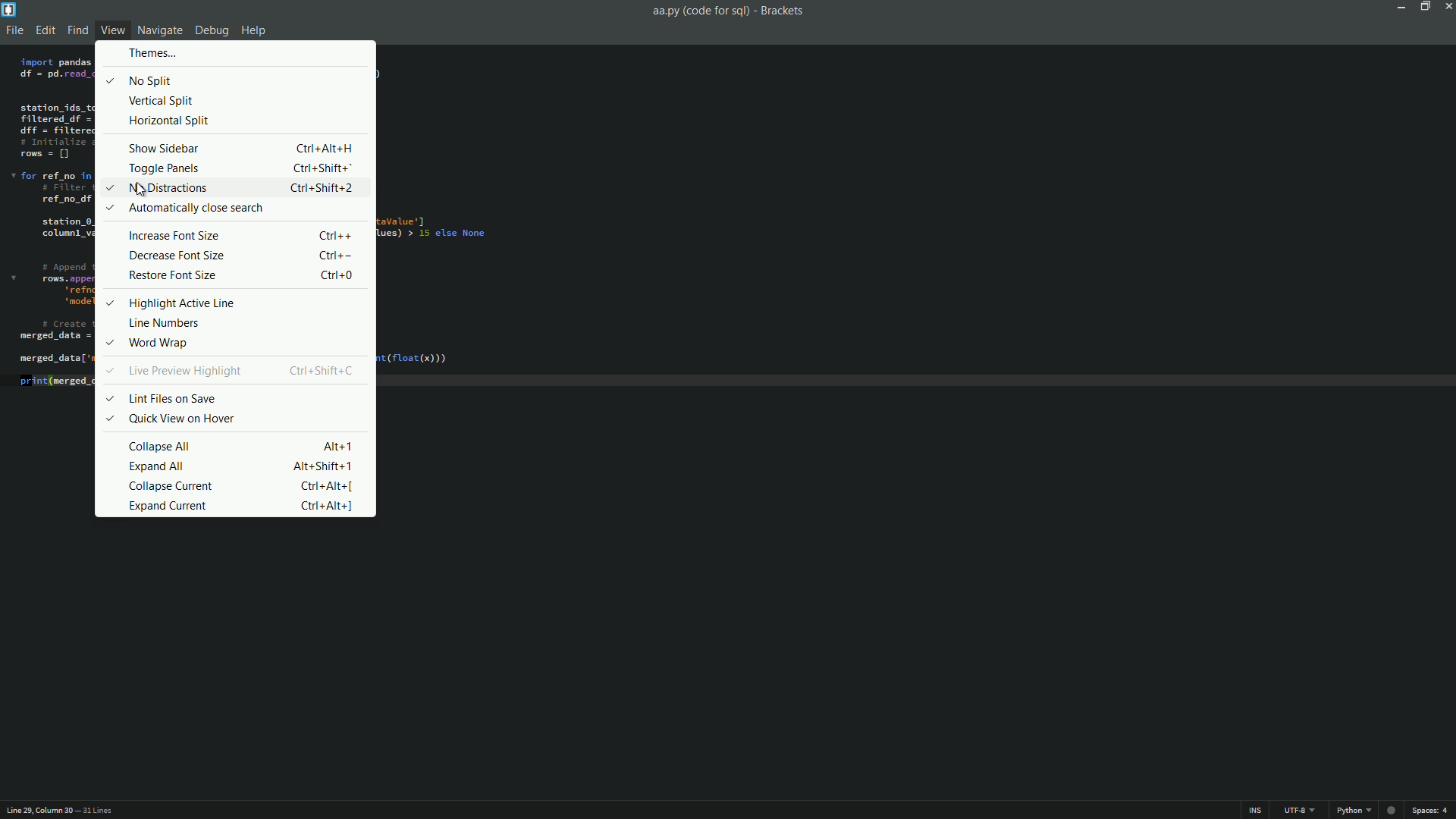 This screenshot has height=819, width=1456. What do you see at coordinates (1429, 810) in the screenshot?
I see `space button` at bounding box center [1429, 810].